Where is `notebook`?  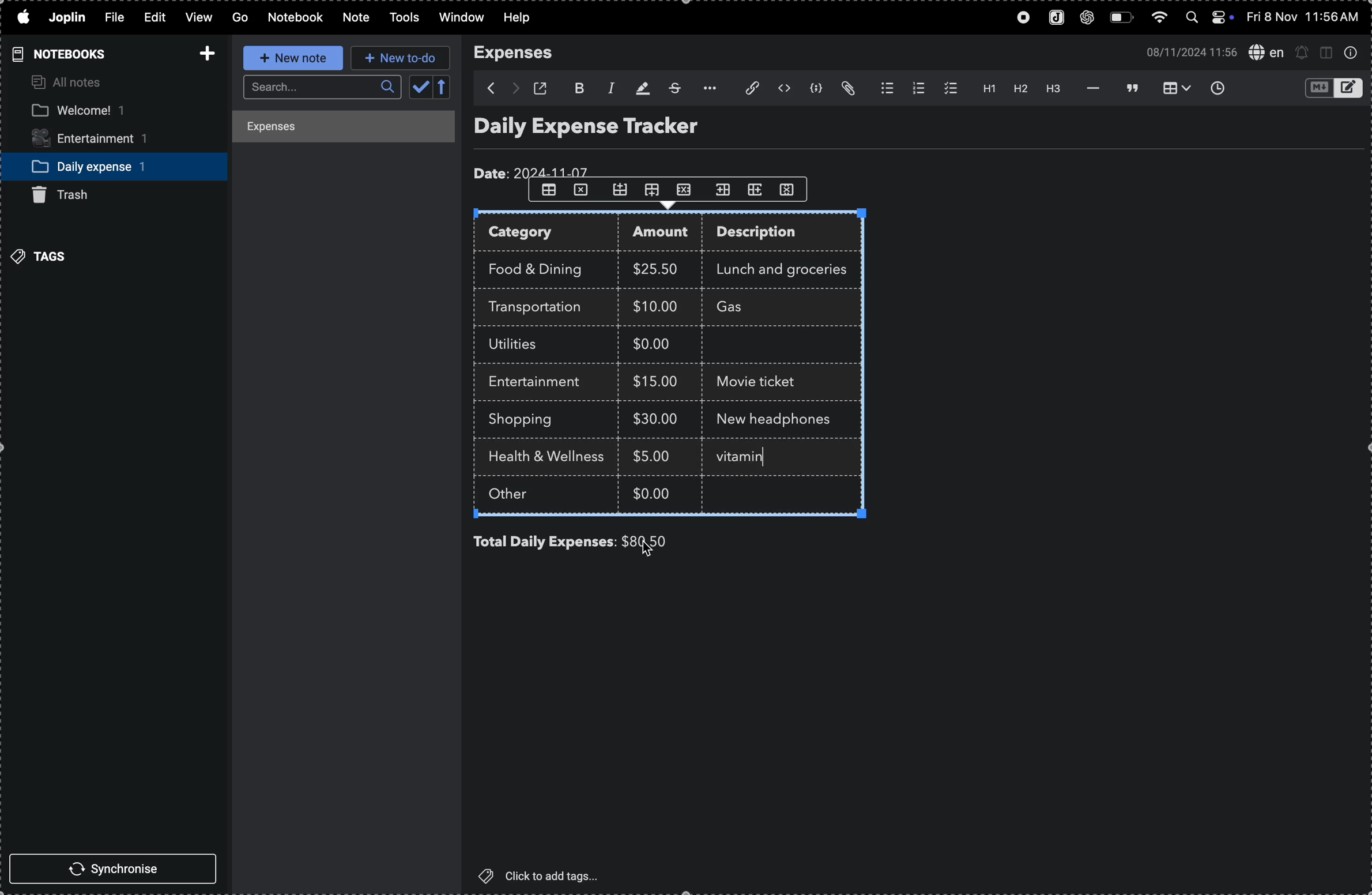 notebook is located at coordinates (296, 17).